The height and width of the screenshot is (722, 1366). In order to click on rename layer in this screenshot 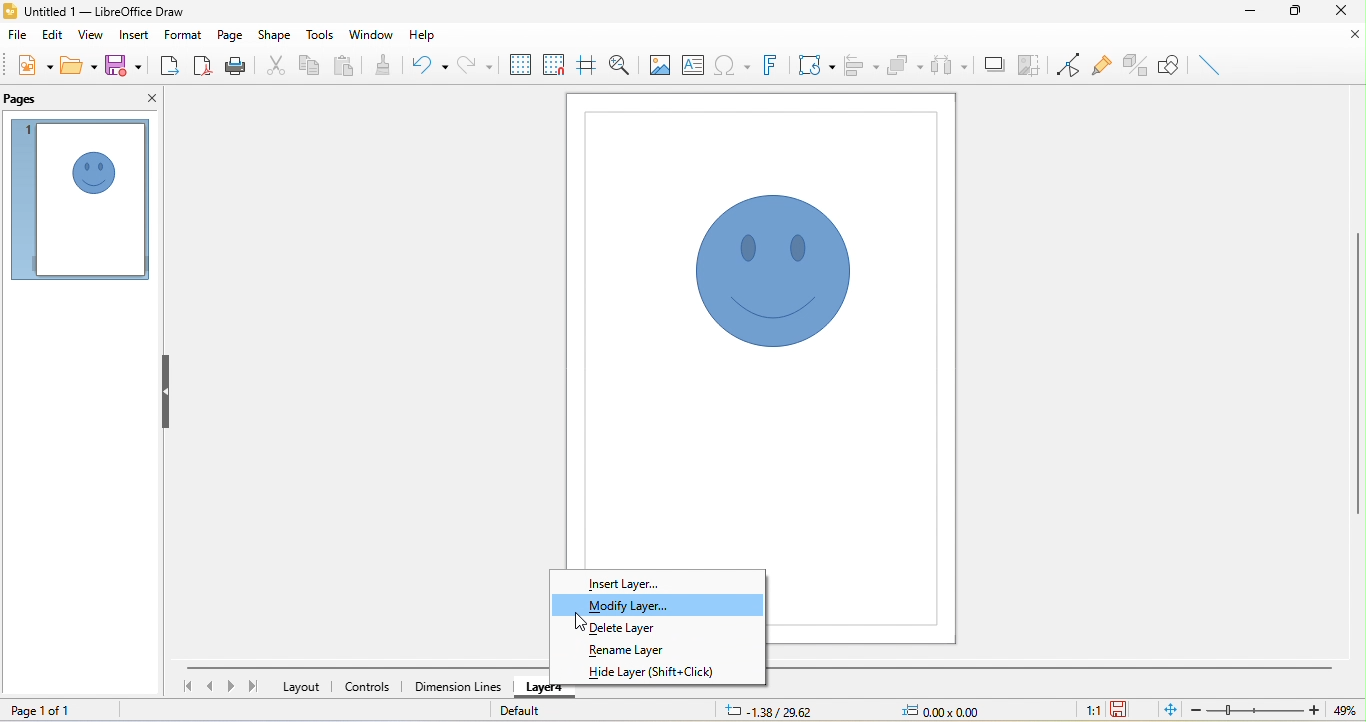, I will do `click(632, 650)`.